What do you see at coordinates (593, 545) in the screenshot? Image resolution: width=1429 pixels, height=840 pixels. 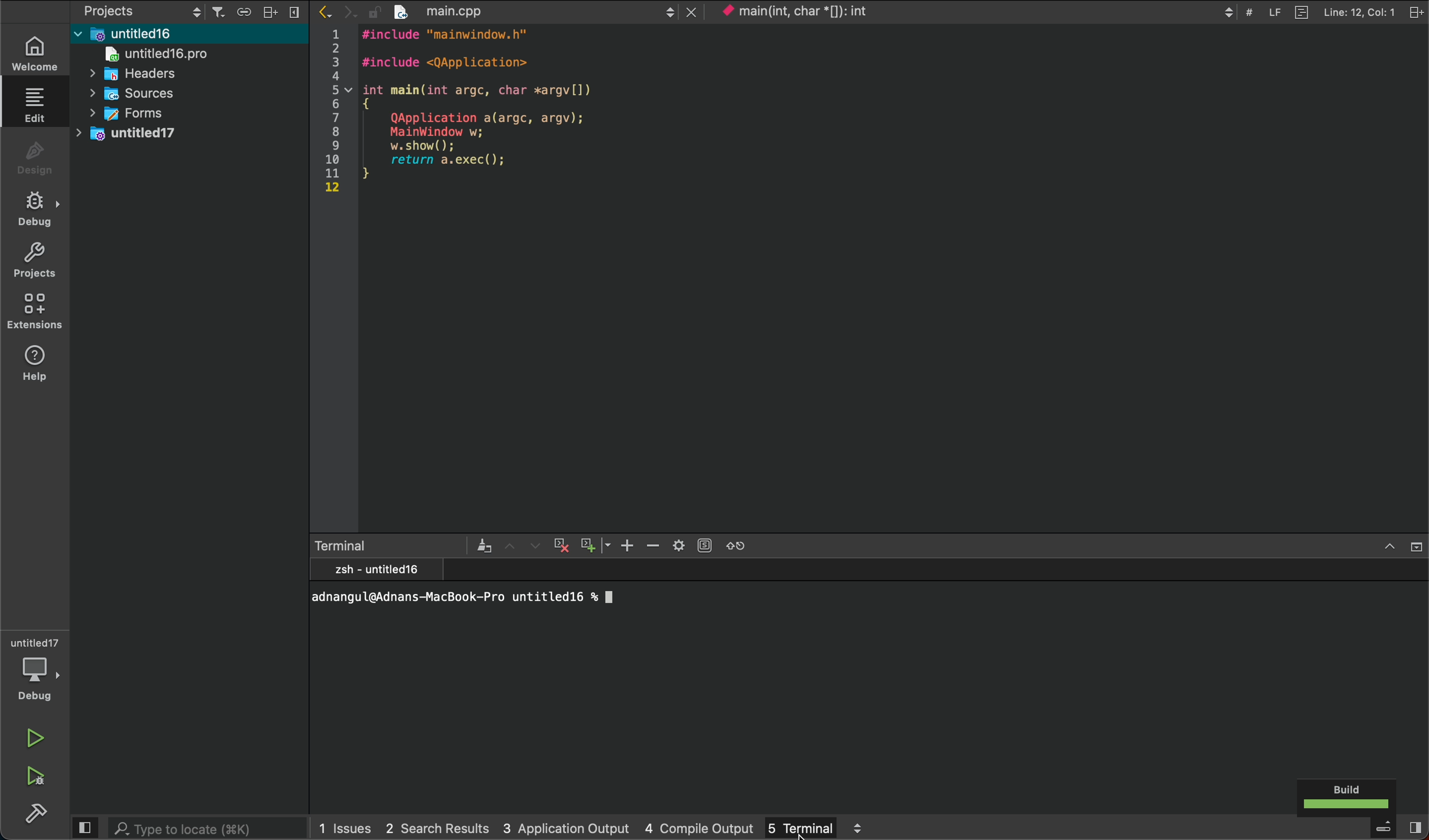 I see `plus` at bounding box center [593, 545].